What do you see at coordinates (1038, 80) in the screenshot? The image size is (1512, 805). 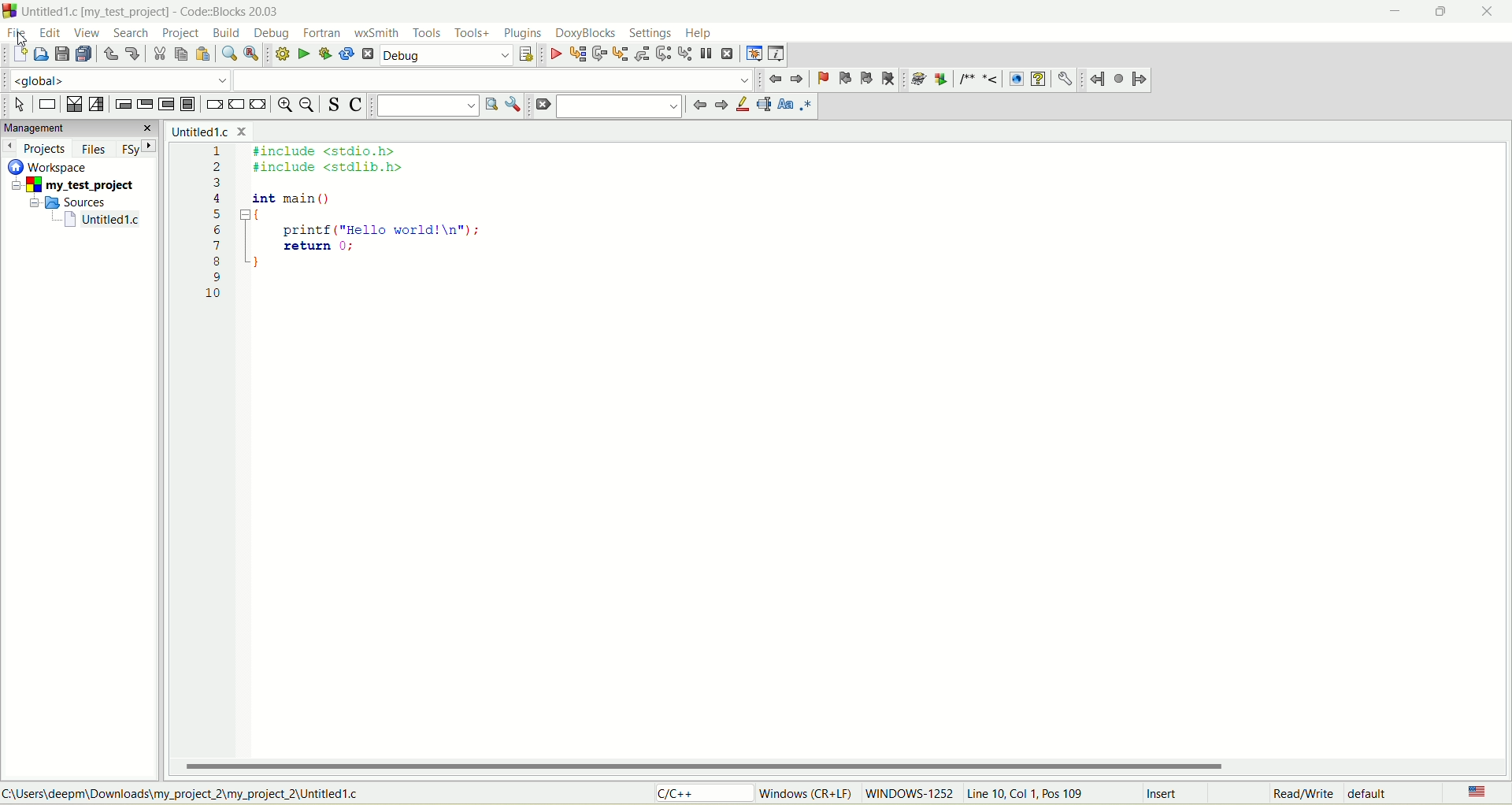 I see `CHM` at bounding box center [1038, 80].